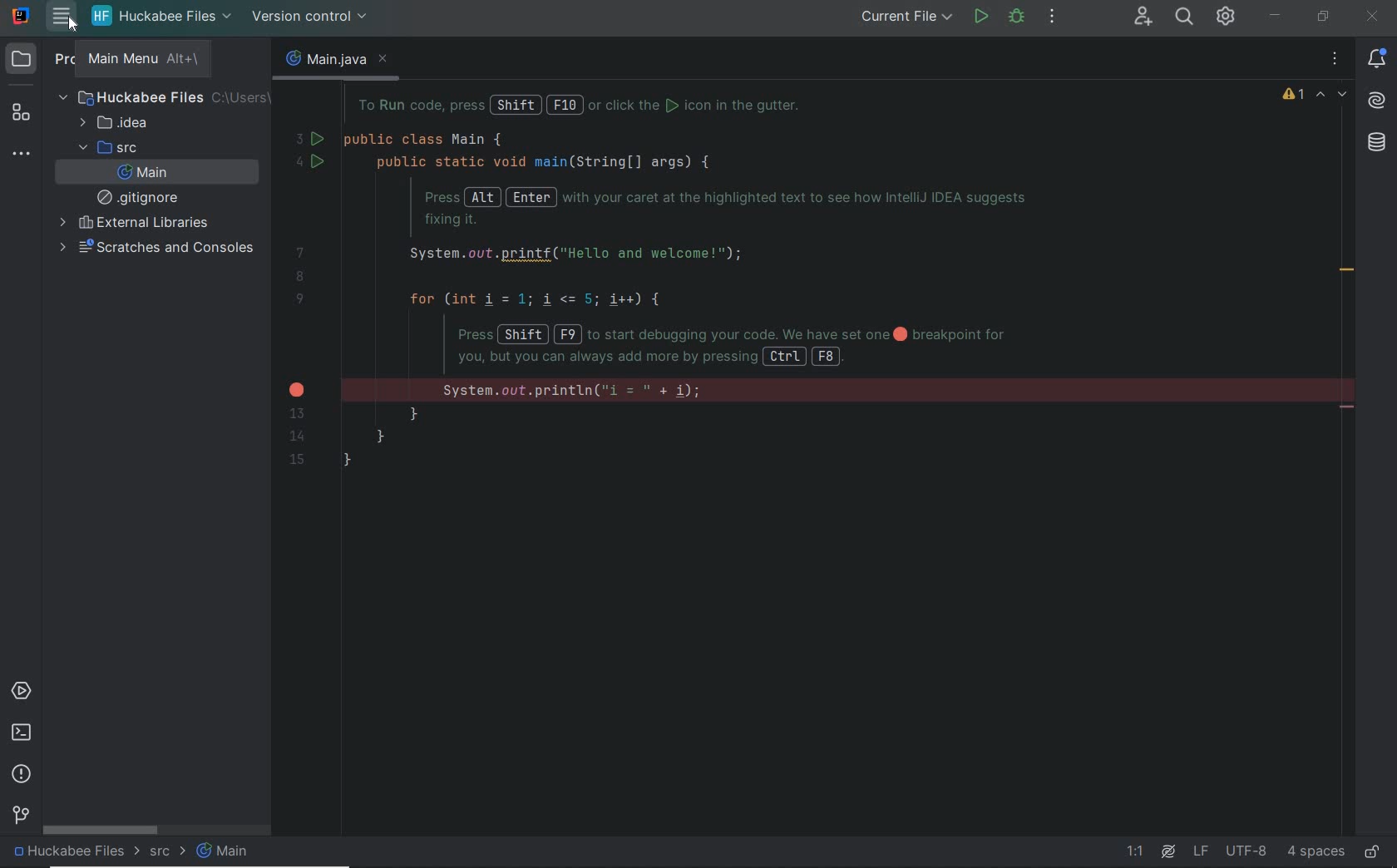 The height and width of the screenshot is (868, 1397). I want to click on MINIMIZE, so click(1276, 18).